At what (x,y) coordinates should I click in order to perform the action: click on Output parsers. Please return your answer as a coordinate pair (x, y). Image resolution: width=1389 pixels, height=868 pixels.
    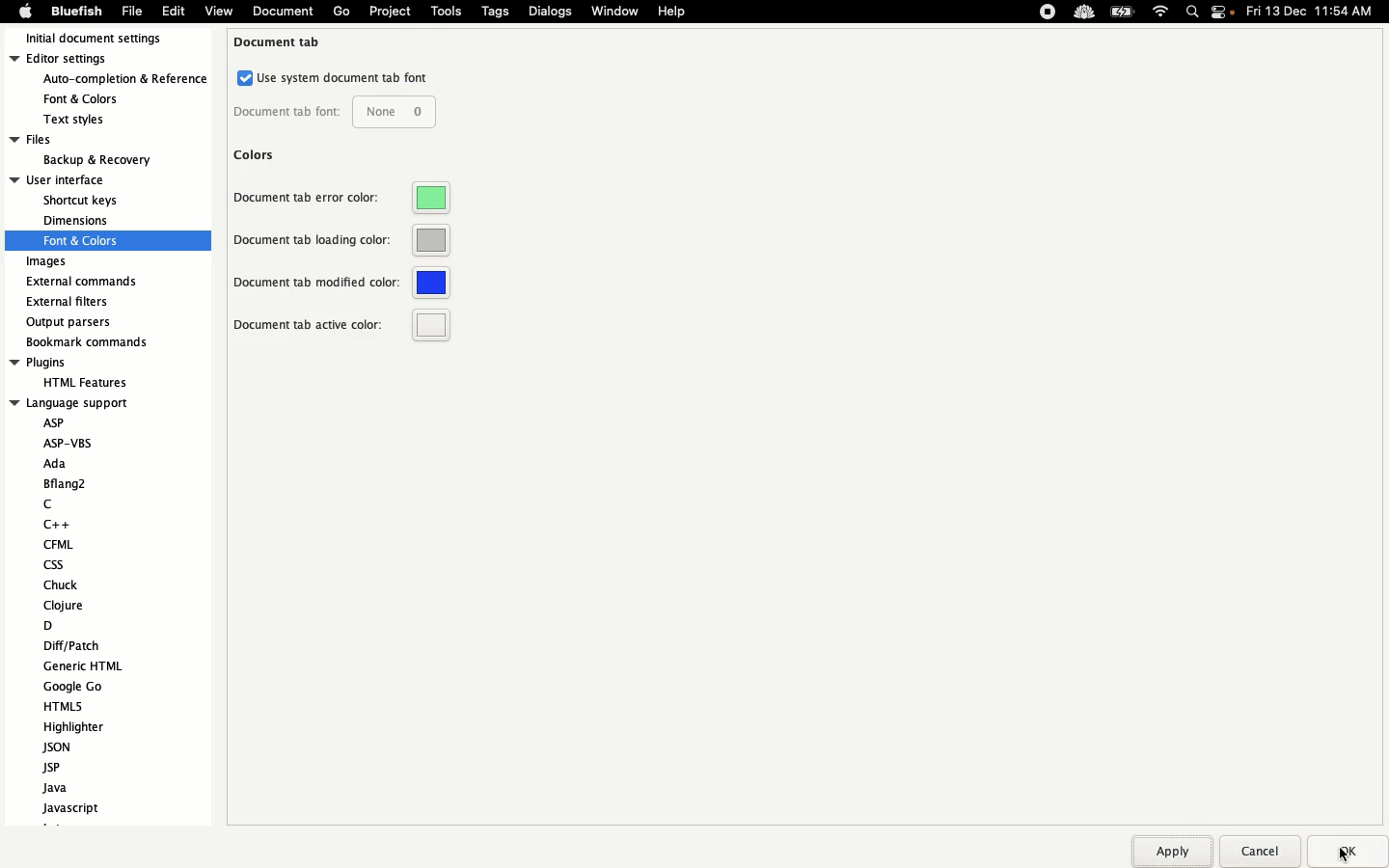
    Looking at the image, I should click on (73, 322).